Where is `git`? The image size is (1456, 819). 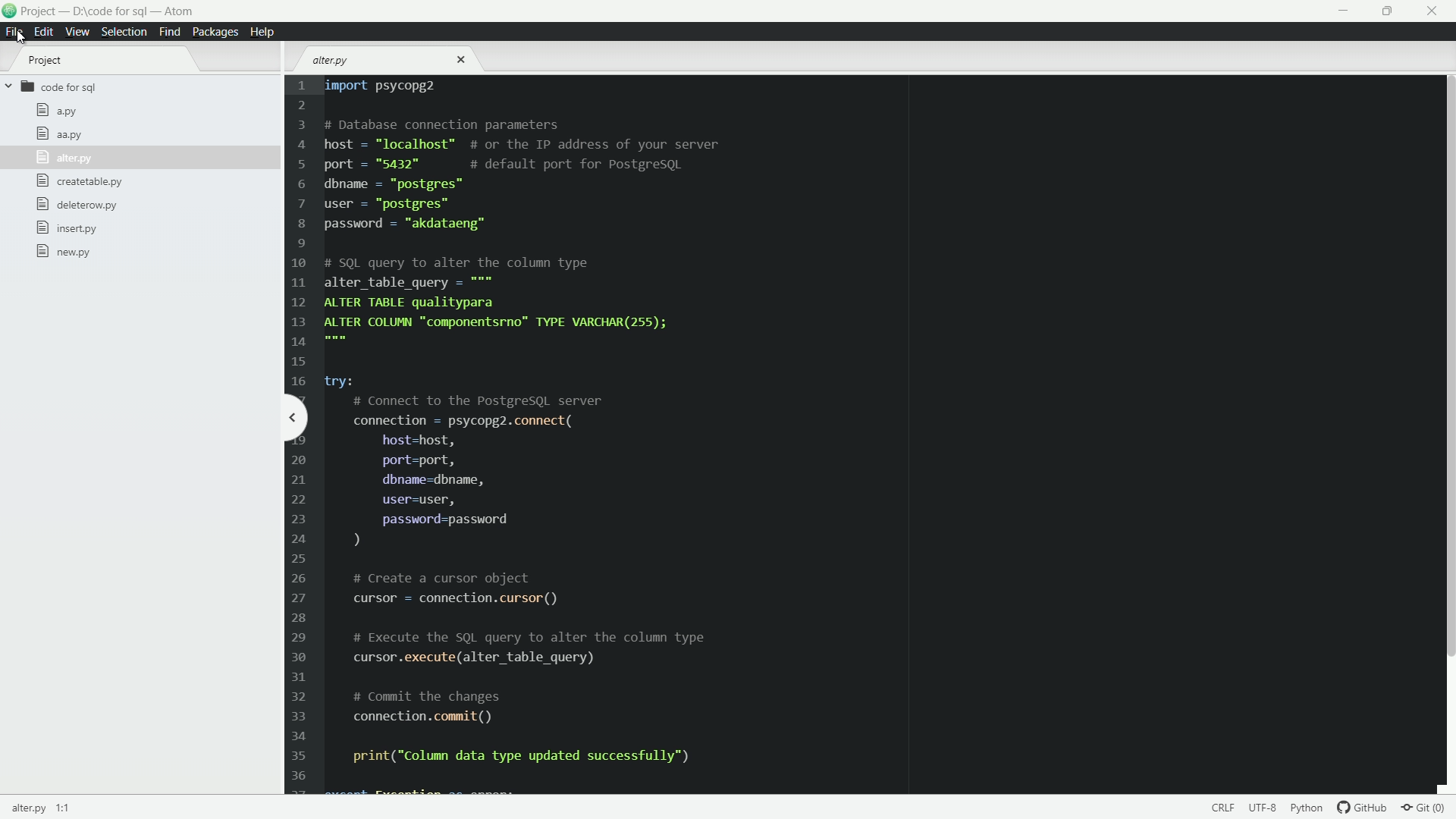
git is located at coordinates (1429, 807).